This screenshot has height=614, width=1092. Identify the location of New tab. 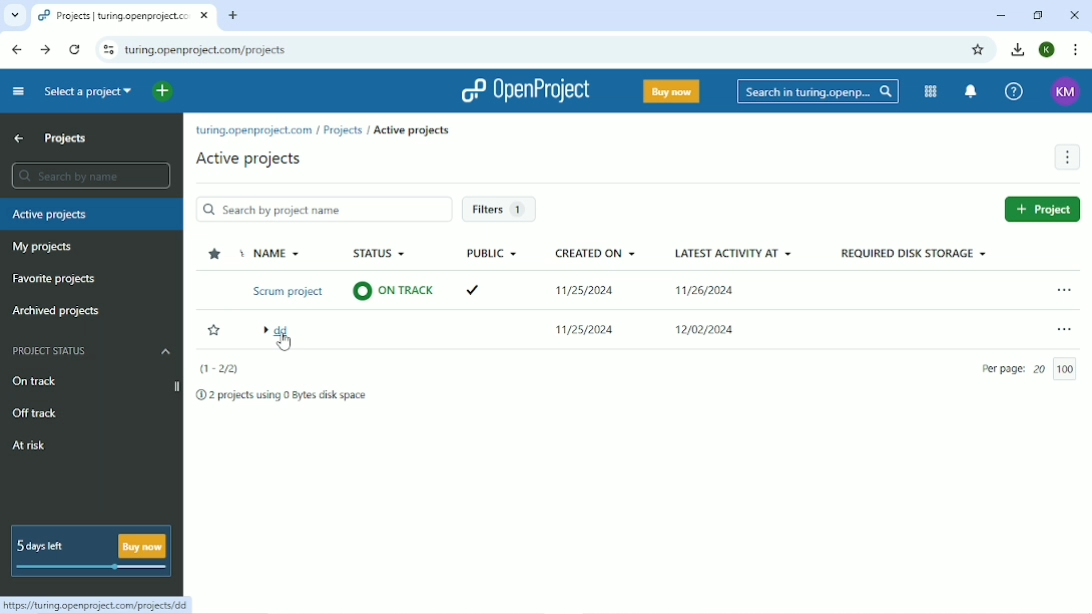
(235, 16).